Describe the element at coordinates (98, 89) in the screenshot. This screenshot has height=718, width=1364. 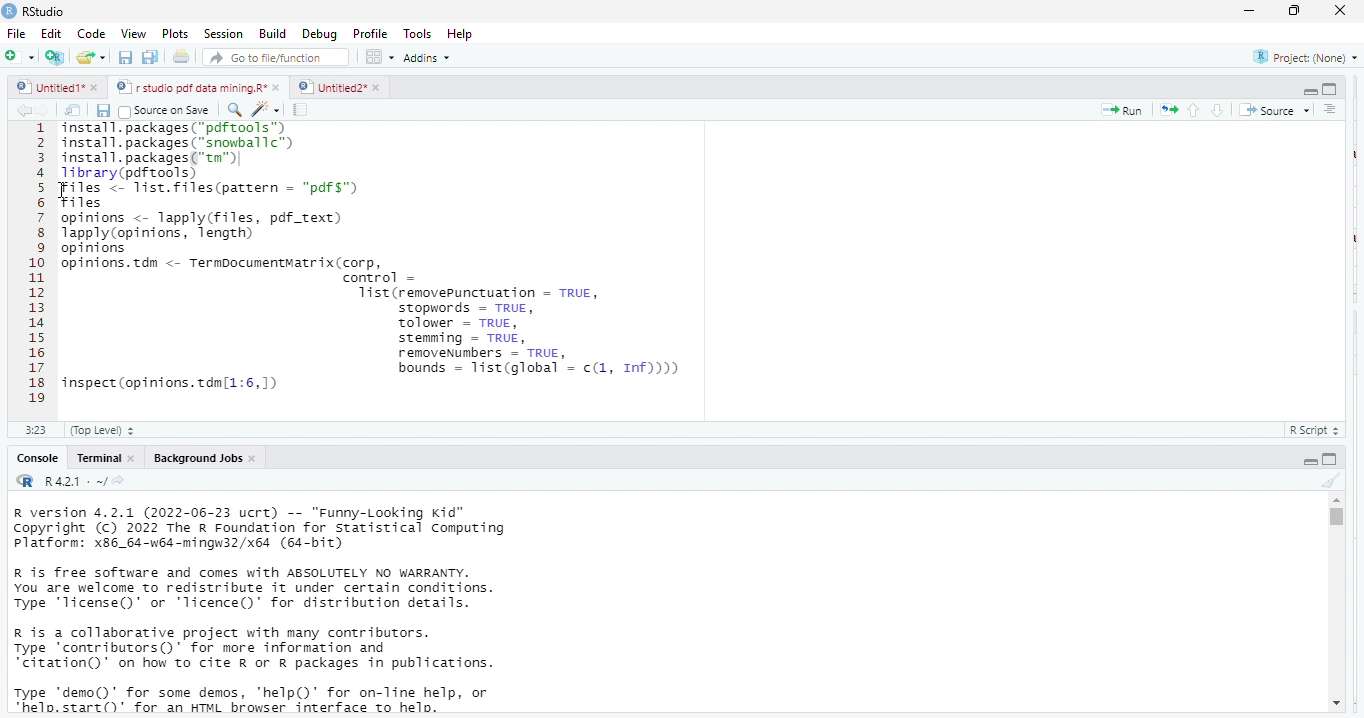
I see `close` at that location.